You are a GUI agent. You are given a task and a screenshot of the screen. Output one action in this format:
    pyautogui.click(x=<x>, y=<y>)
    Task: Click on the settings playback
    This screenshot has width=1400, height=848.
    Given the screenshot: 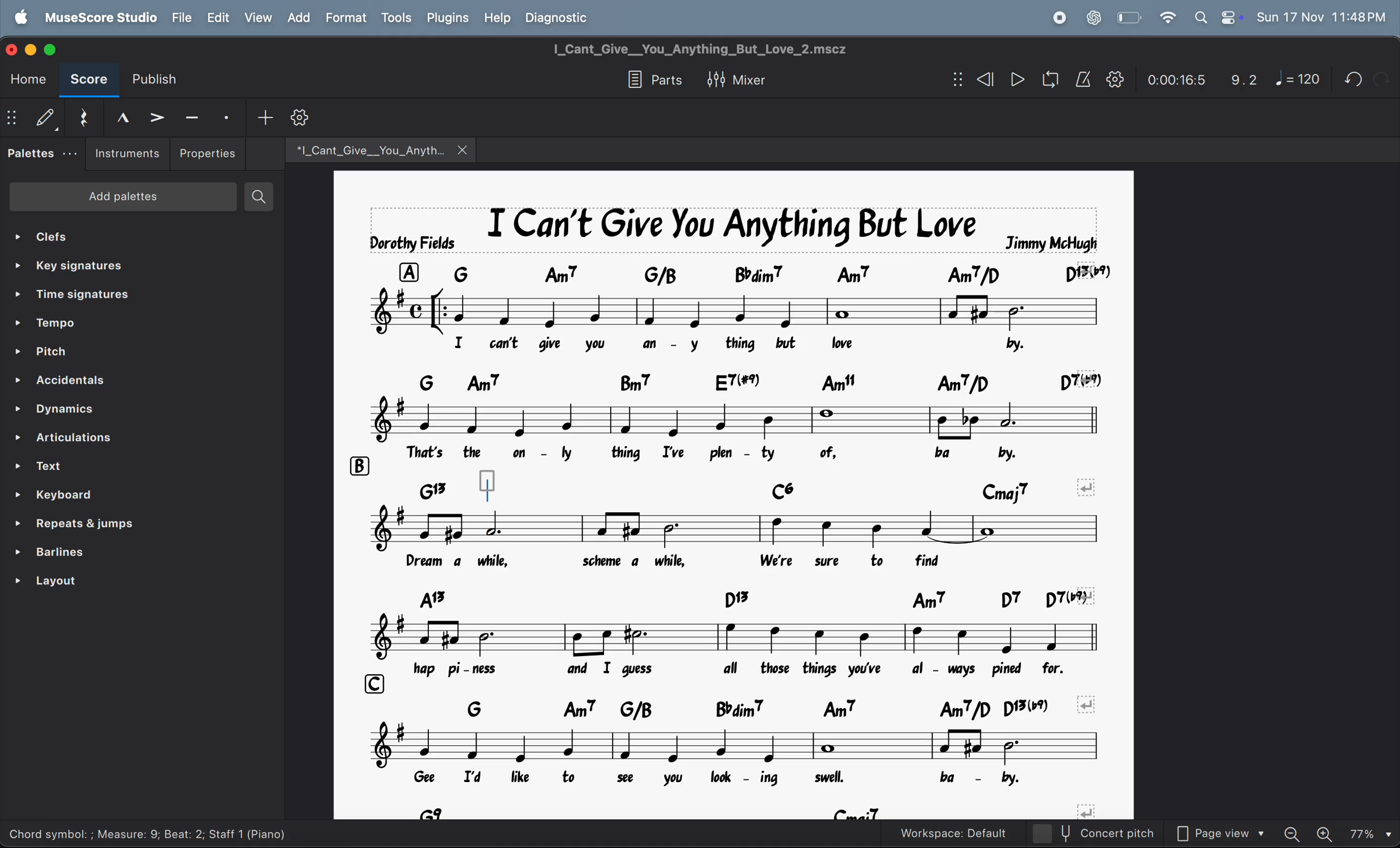 What is the action you would take?
    pyautogui.click(x=1116, y=79)
    